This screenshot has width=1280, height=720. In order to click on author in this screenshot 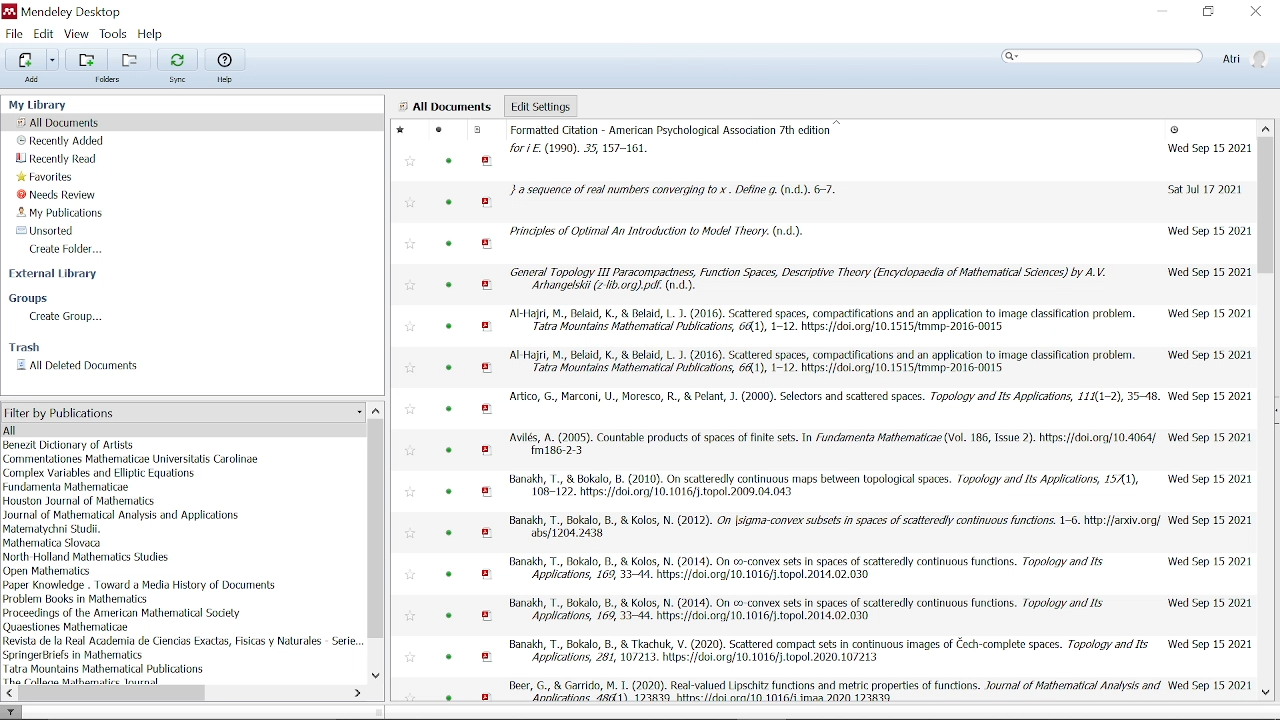, I will do `click(105, 668)`.